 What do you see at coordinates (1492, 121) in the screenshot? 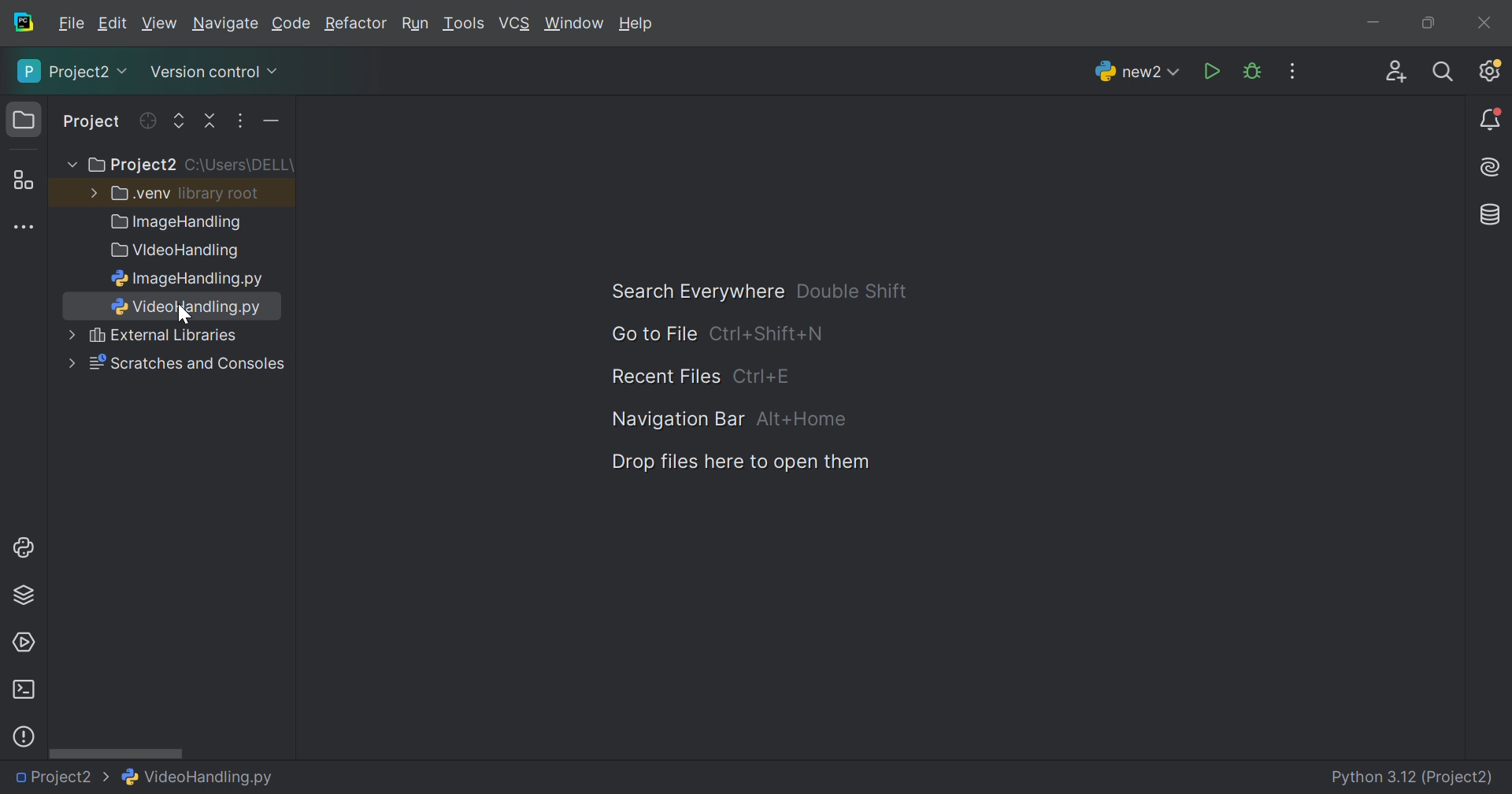
I see `Notifications` at bounding box center [1492, 121].